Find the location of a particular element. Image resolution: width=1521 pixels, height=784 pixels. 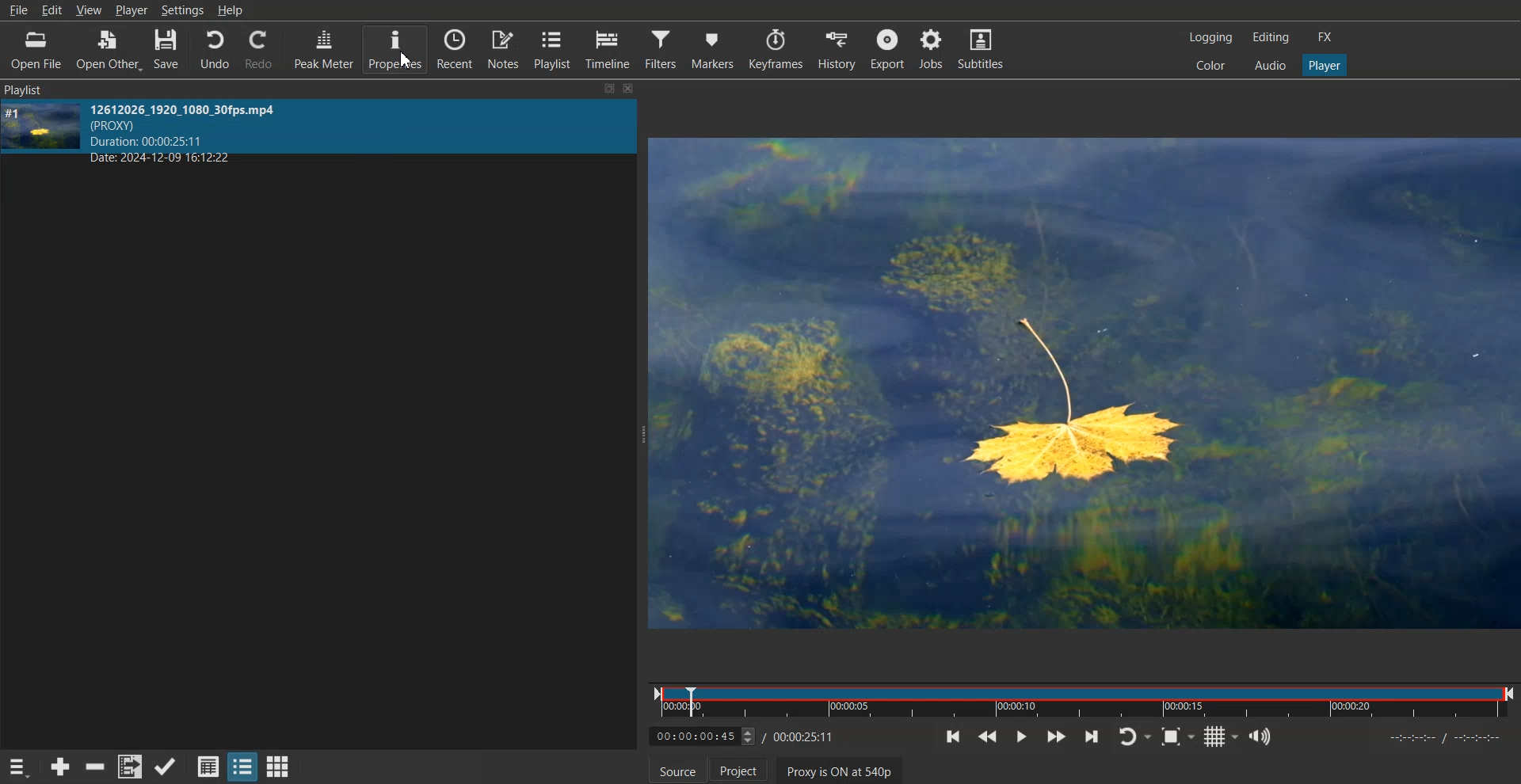

Open Other is located at coordinates (107, 49).